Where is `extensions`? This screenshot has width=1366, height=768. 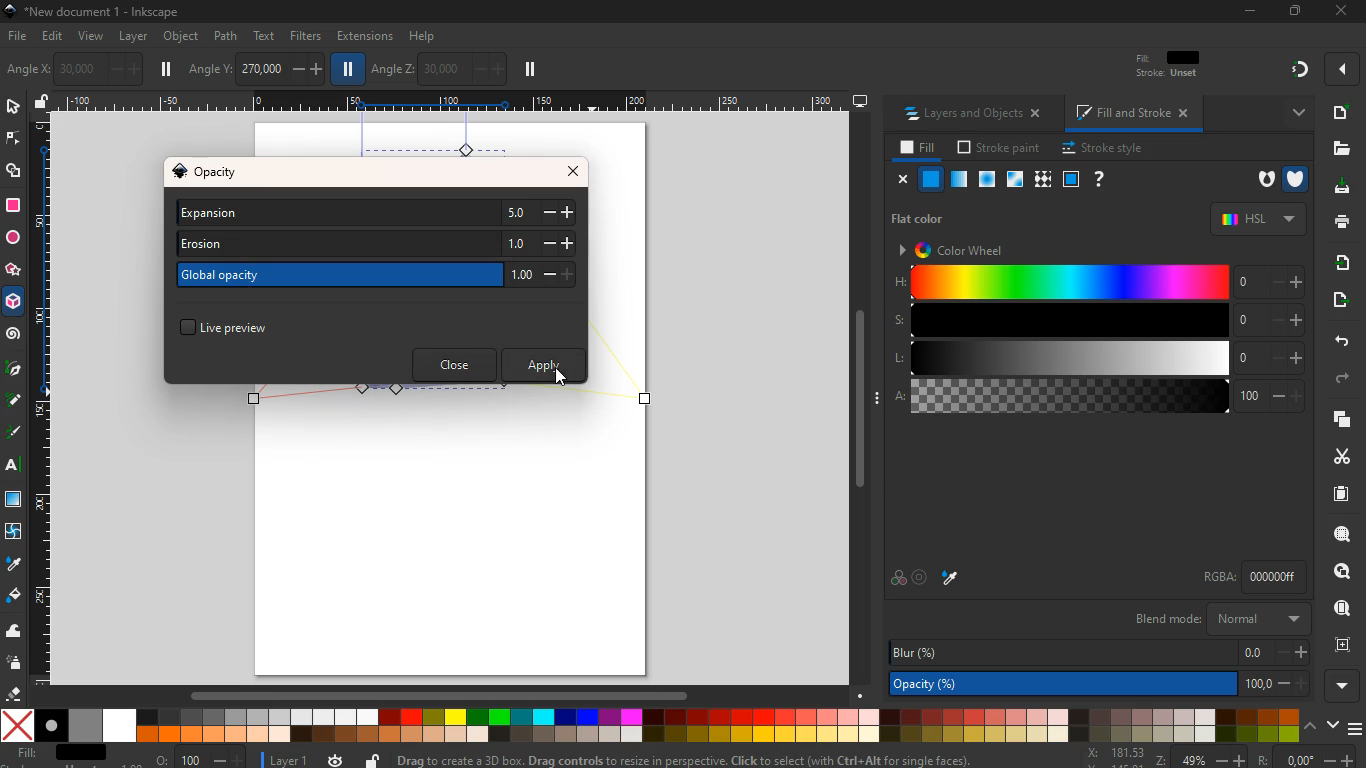 extensions is located at coordinates (364, 36).